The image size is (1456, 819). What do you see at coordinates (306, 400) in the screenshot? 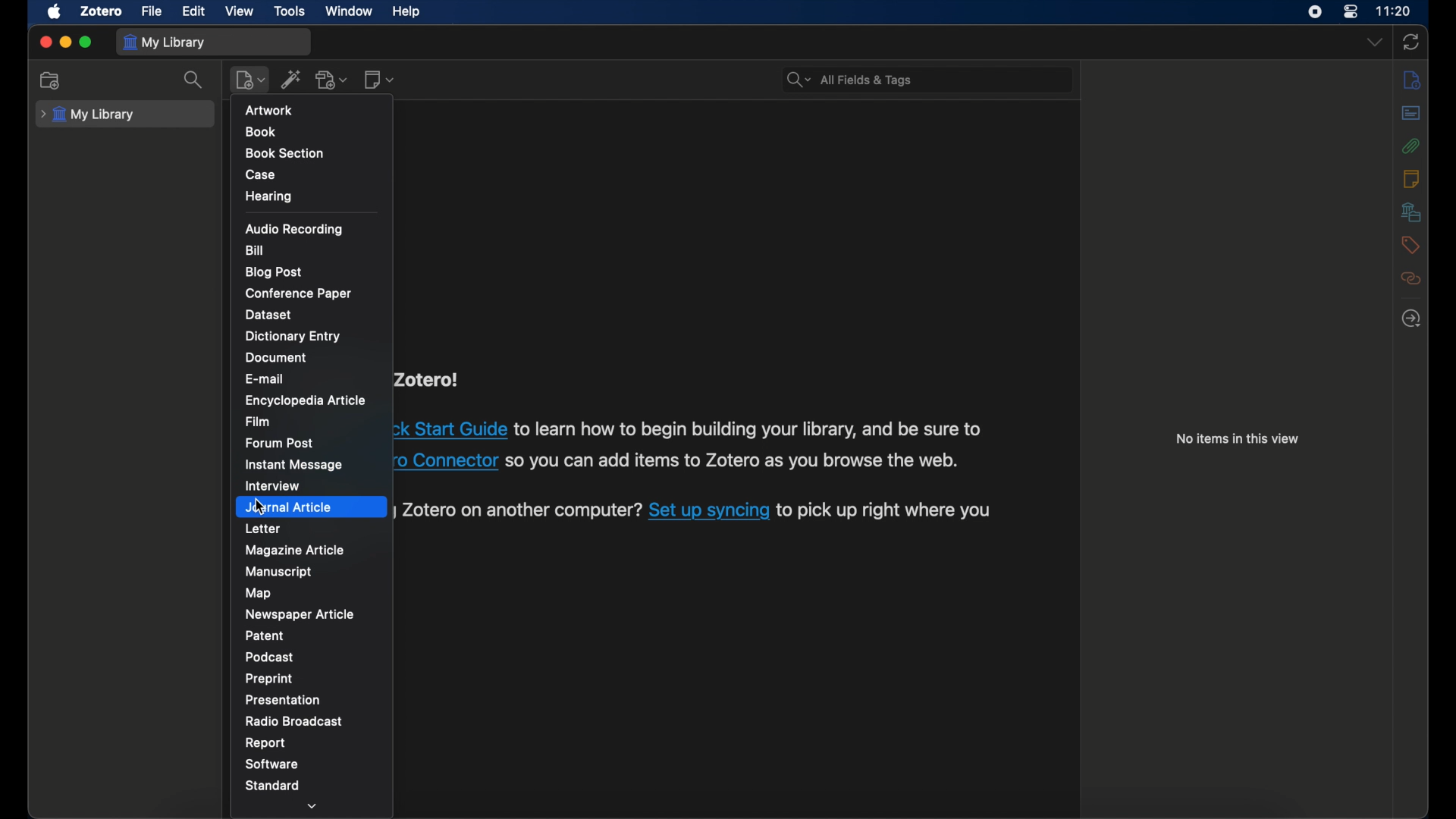
I see `encyclopedia article` at bounding box center [306, 400].